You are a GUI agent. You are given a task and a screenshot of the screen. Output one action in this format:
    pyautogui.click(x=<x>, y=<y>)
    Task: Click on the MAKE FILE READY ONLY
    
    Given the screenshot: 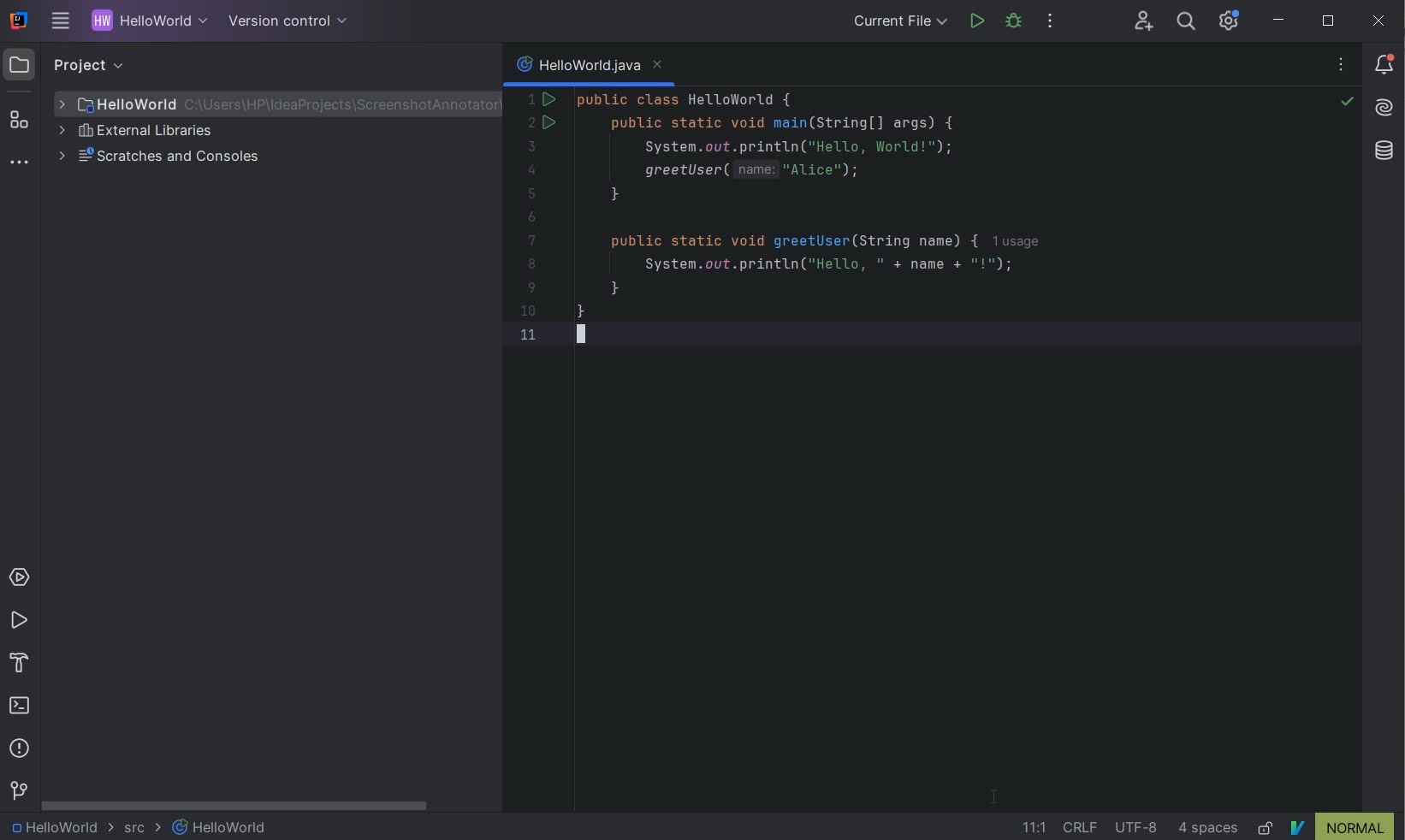 What is the action you would take?
    pyautogui.click(x=1266, y=828)
    